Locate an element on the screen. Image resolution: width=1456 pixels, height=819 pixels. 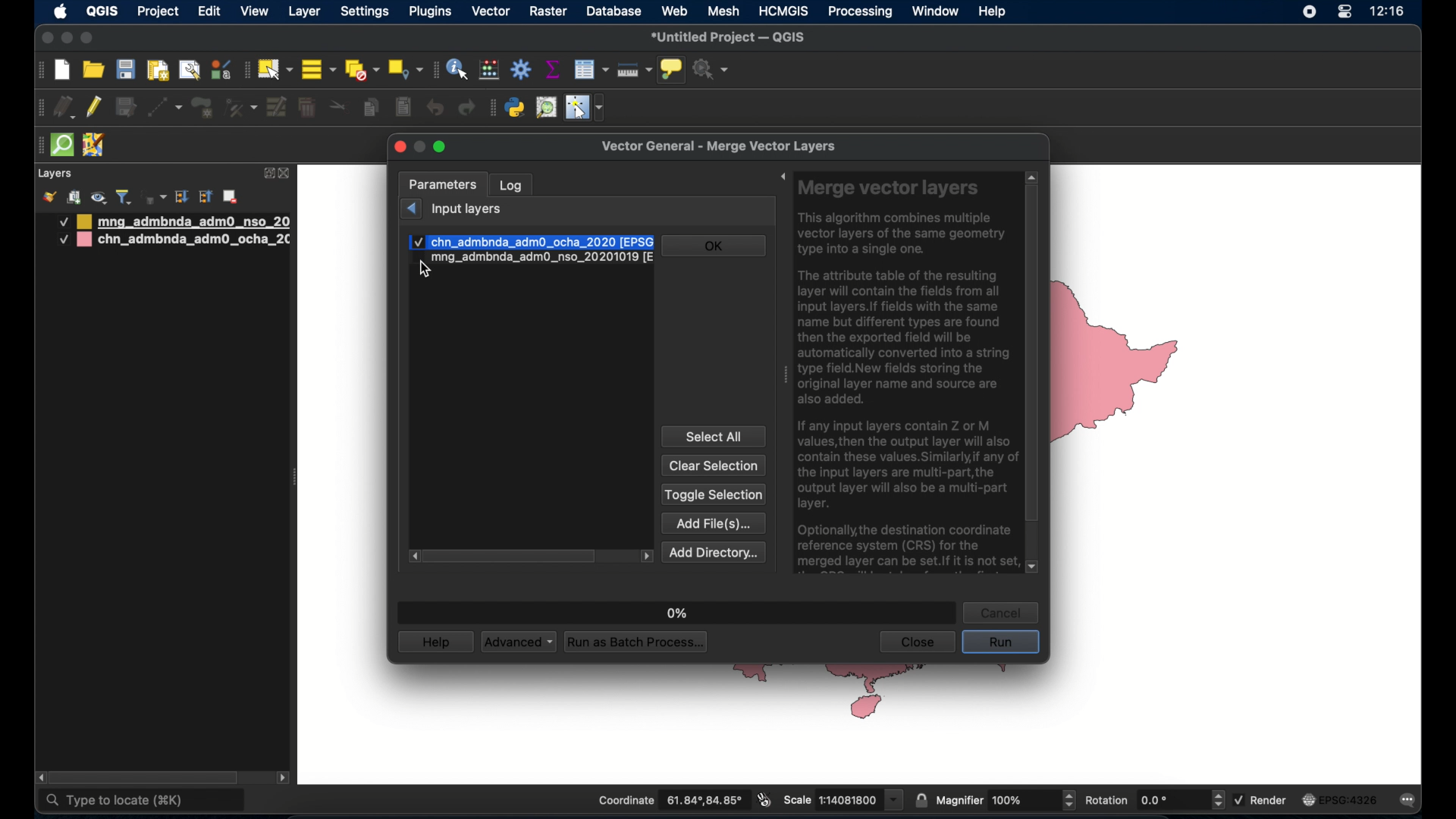
settings is located at coordinates (366, 13).